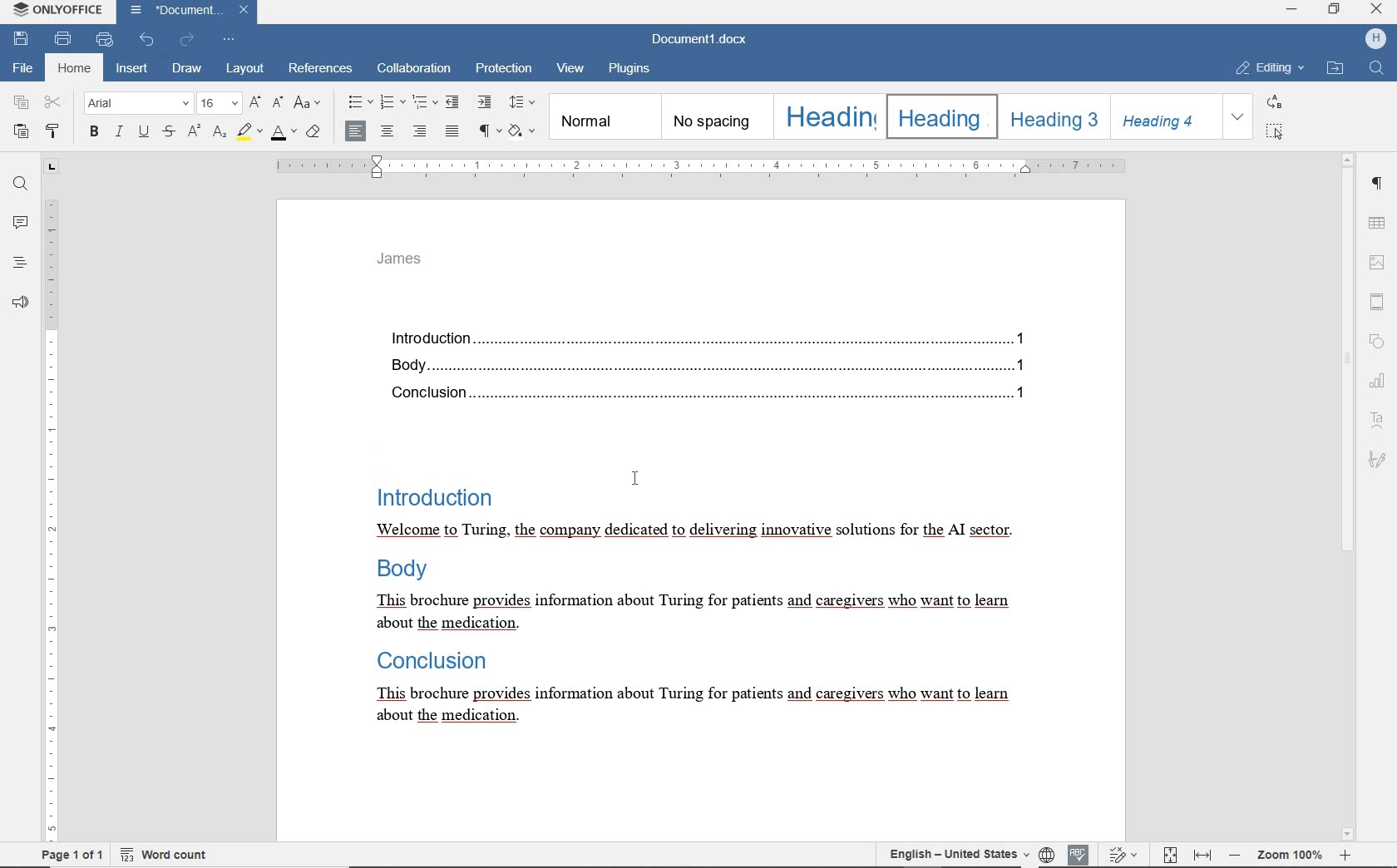  Describe the element at coordinates (1378, 263) in the screenshot. I see `insert image` at that location.